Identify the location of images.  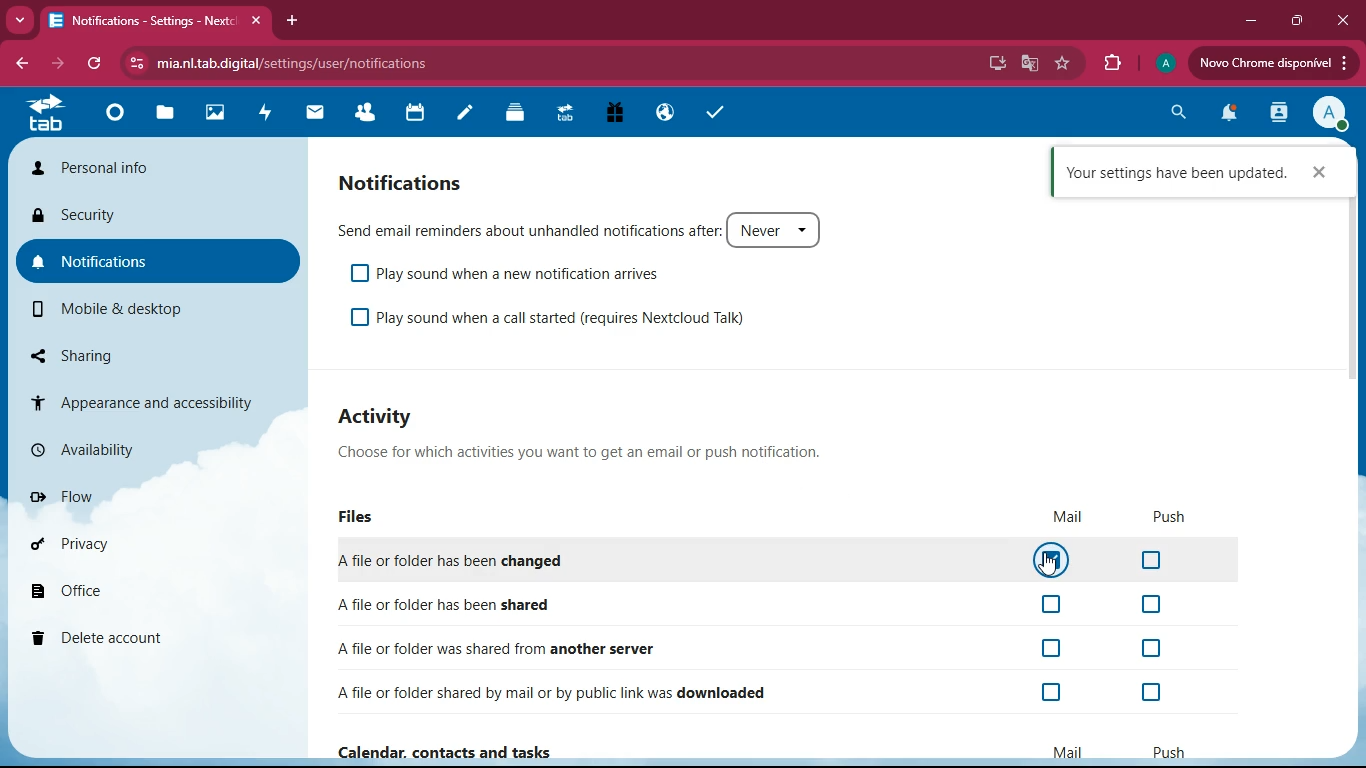
(213, 115).